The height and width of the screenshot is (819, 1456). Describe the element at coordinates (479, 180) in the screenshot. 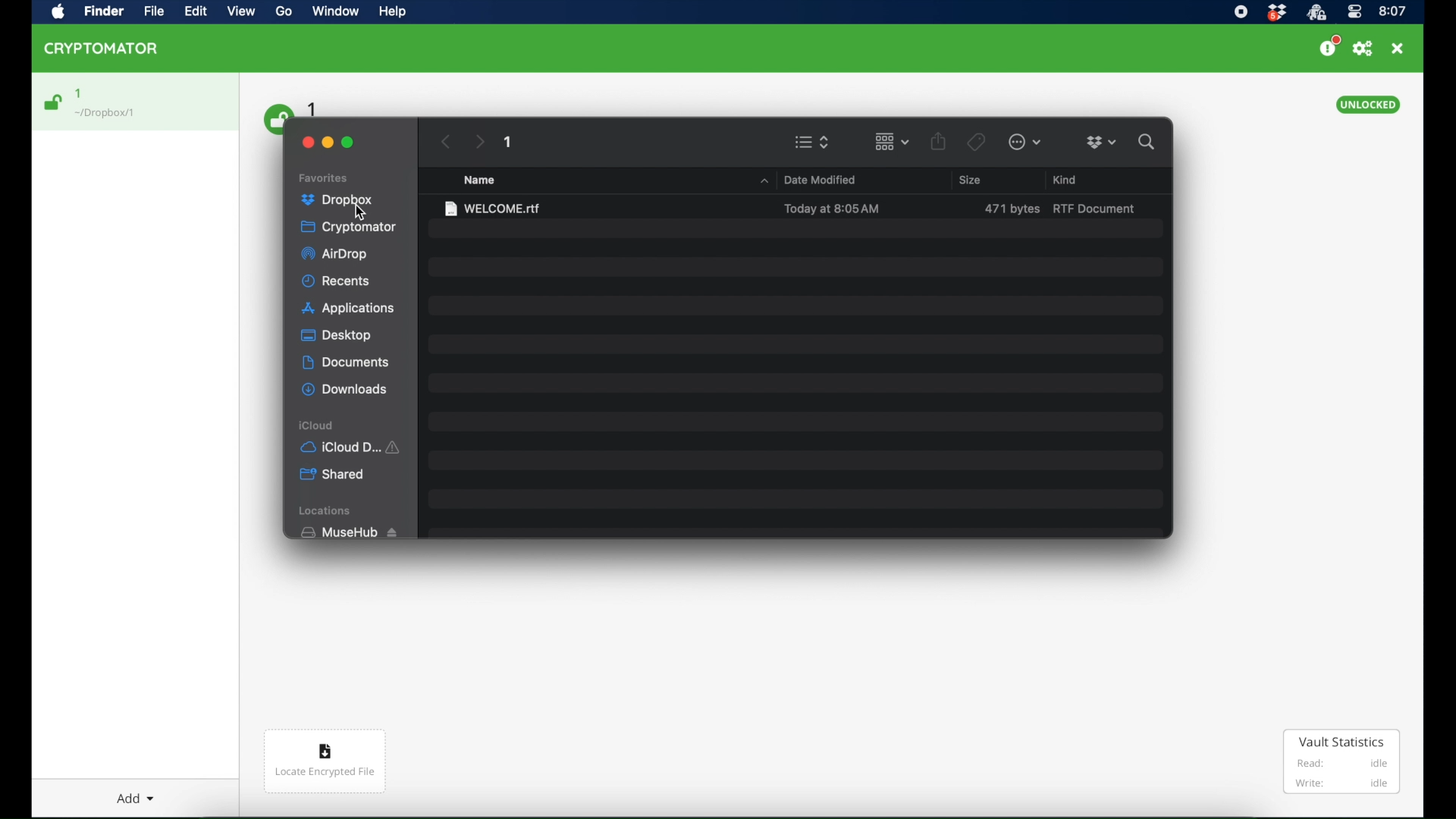

I see `name` at that location.